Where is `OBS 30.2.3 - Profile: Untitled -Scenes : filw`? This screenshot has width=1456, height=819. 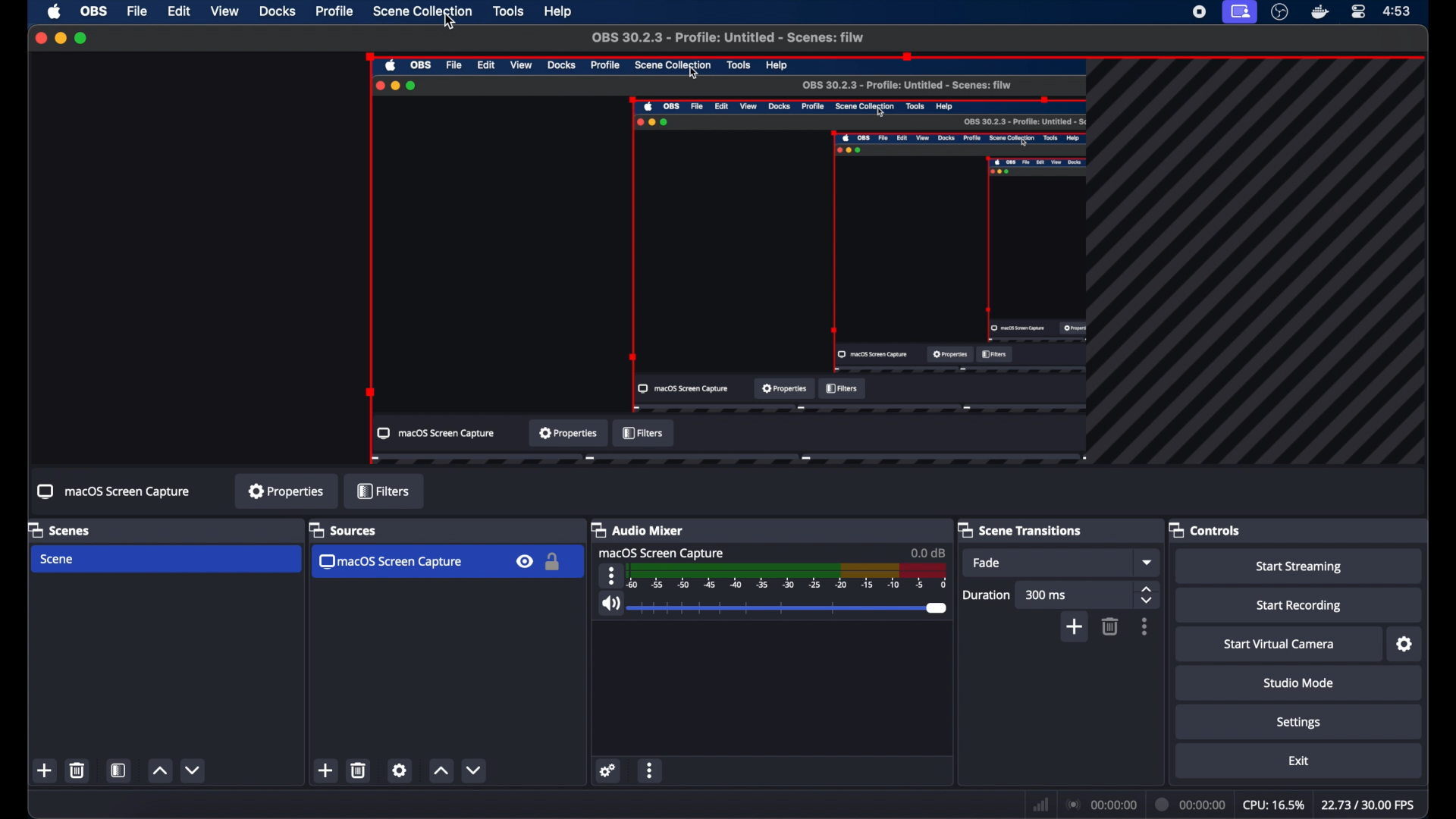
OBS 30.2.3 - Profile: Untitled -Scenes : filw is located at coordinates (727, 37).